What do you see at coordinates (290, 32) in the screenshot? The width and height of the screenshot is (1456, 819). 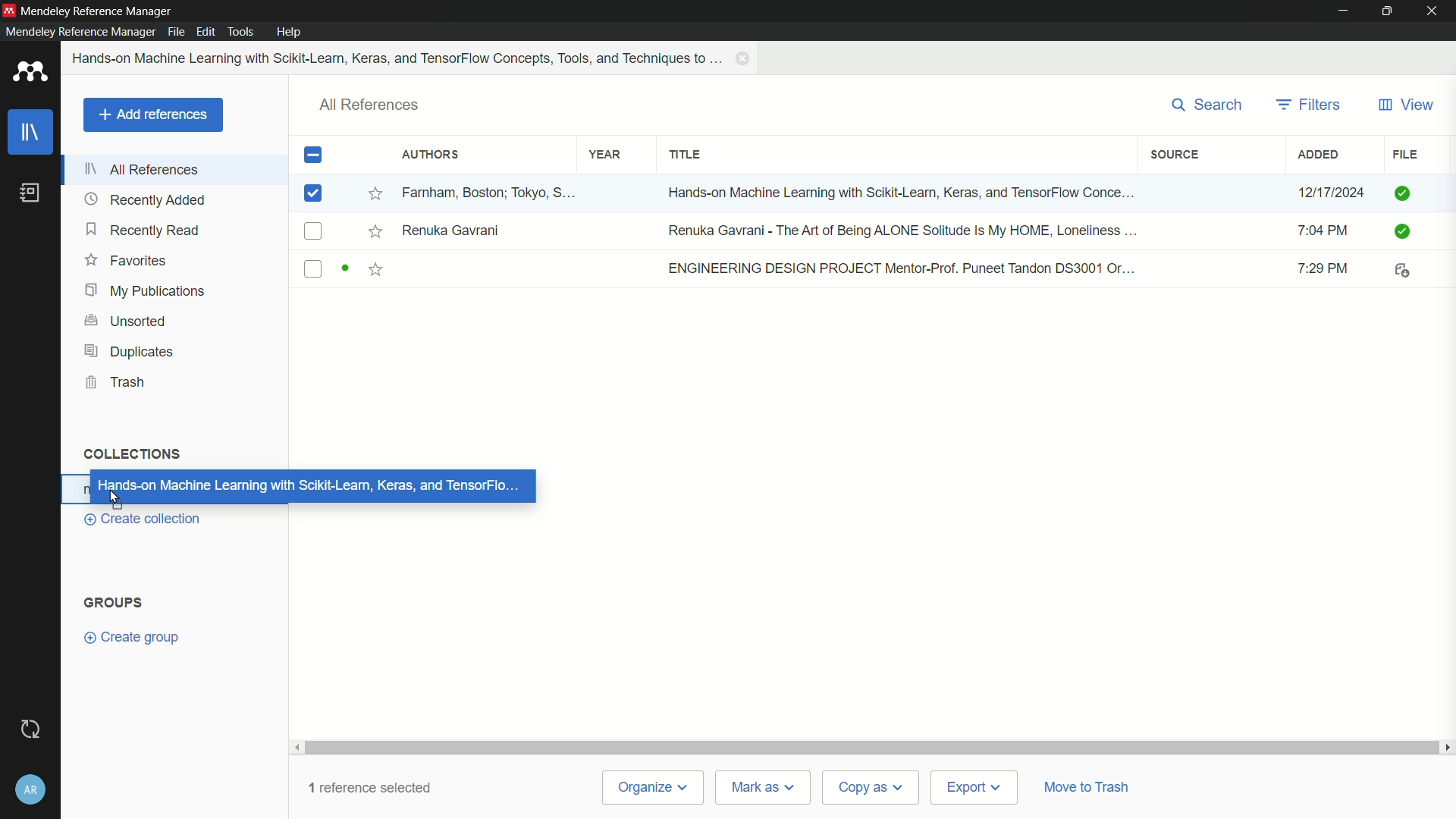 I see `help menu` at bounding box center [290, 32].